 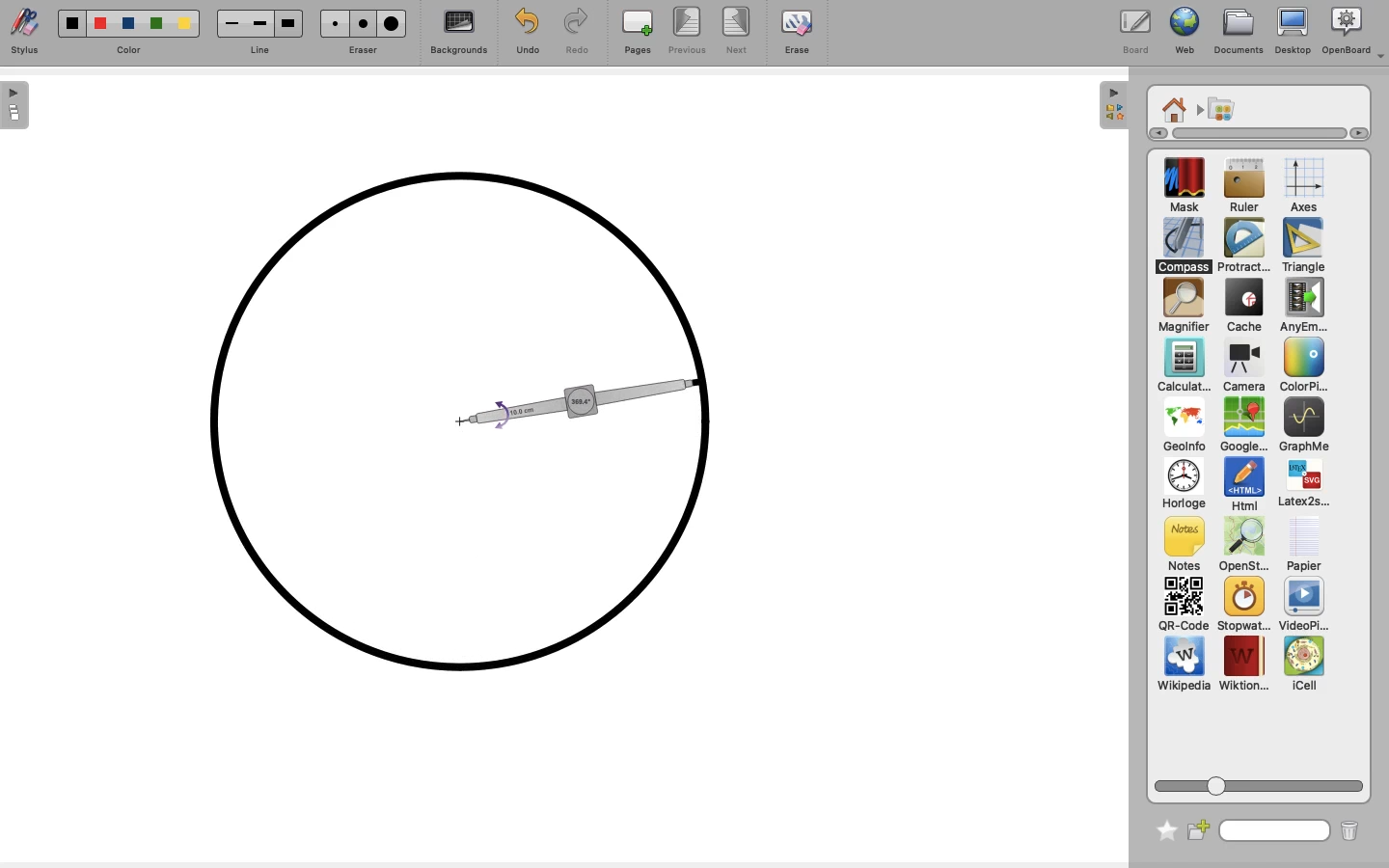 What do you see at coordinates (29, 33) in the screenshot?
I see `Stylus` at bounding box center [29, 33].